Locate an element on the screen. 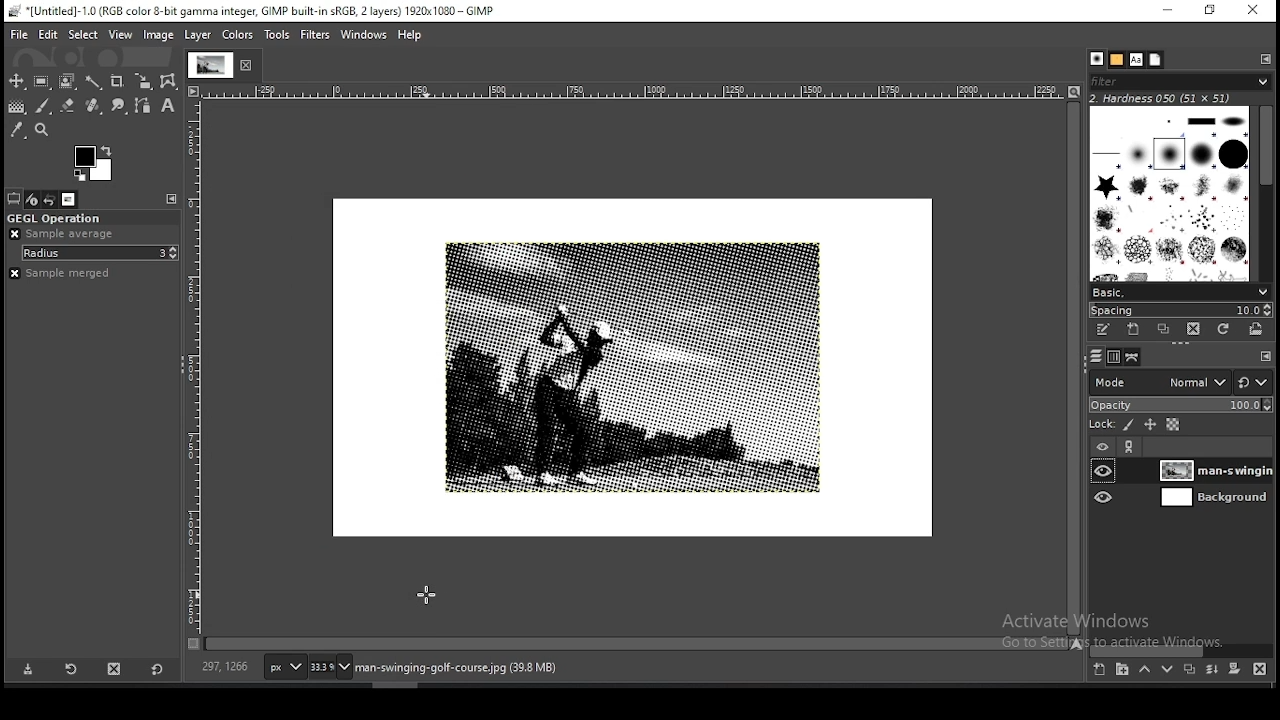 This screenshot has width=1280, height=720. configure this tab is located at coordinates (1265, 60).